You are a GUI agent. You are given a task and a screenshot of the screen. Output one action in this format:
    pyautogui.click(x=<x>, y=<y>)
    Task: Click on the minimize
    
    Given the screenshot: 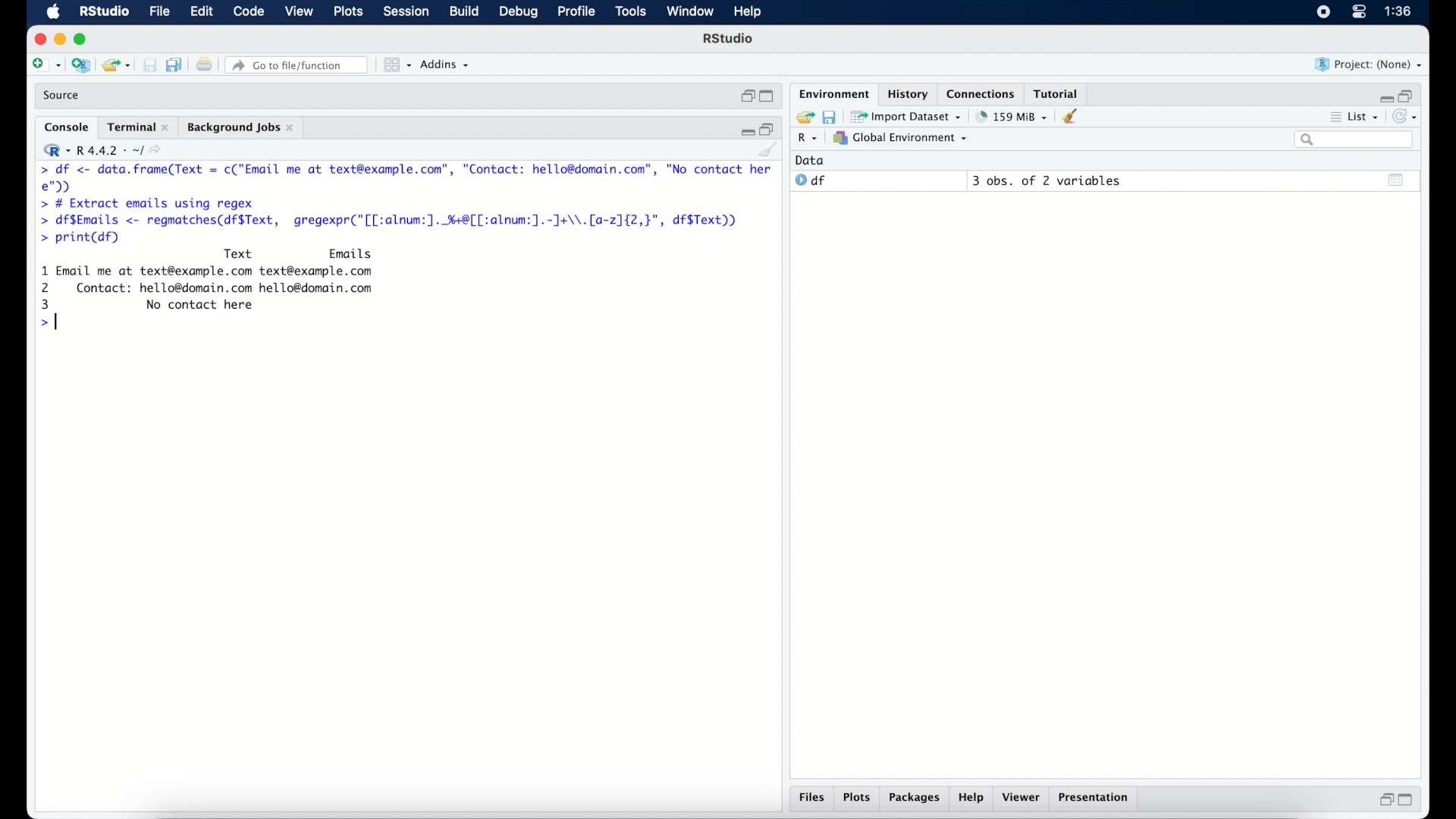 What is the action you would take?
    pyautogui.click(x=59, y=40)
    